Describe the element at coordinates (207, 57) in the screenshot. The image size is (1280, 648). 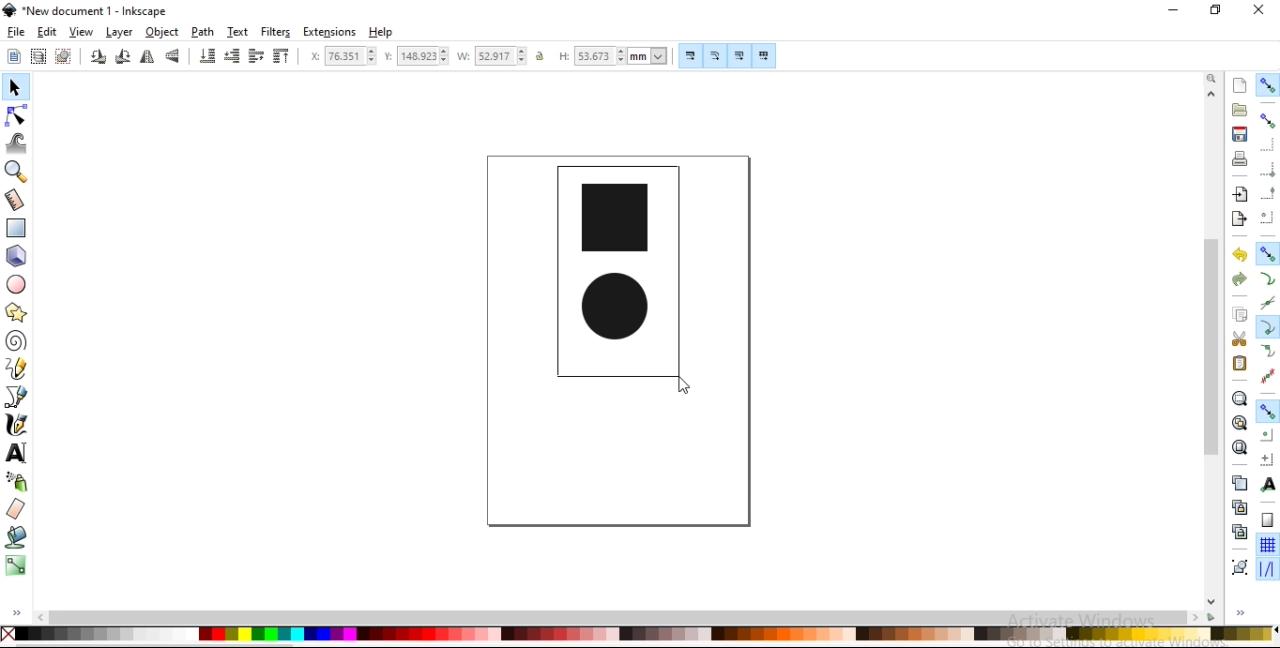
I see `lower selection to bottom` at that location.